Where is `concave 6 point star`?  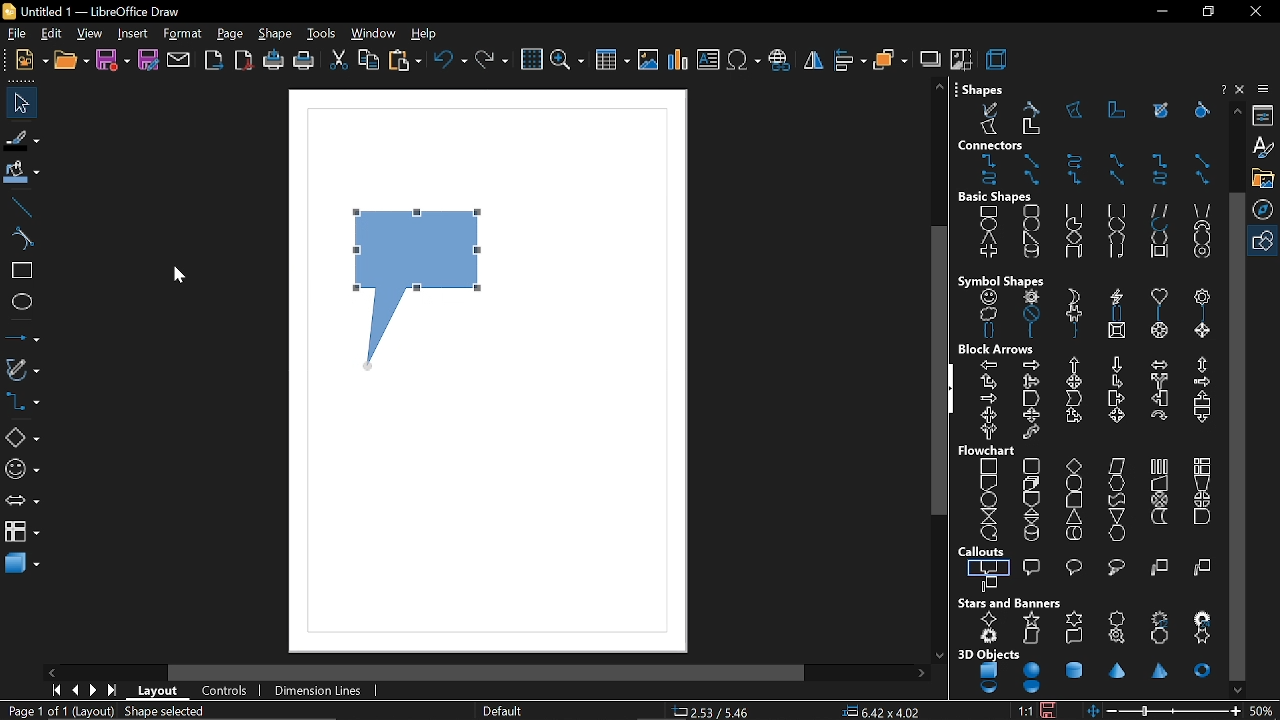
concave 6 point star is located at coordinates (1203, 637).